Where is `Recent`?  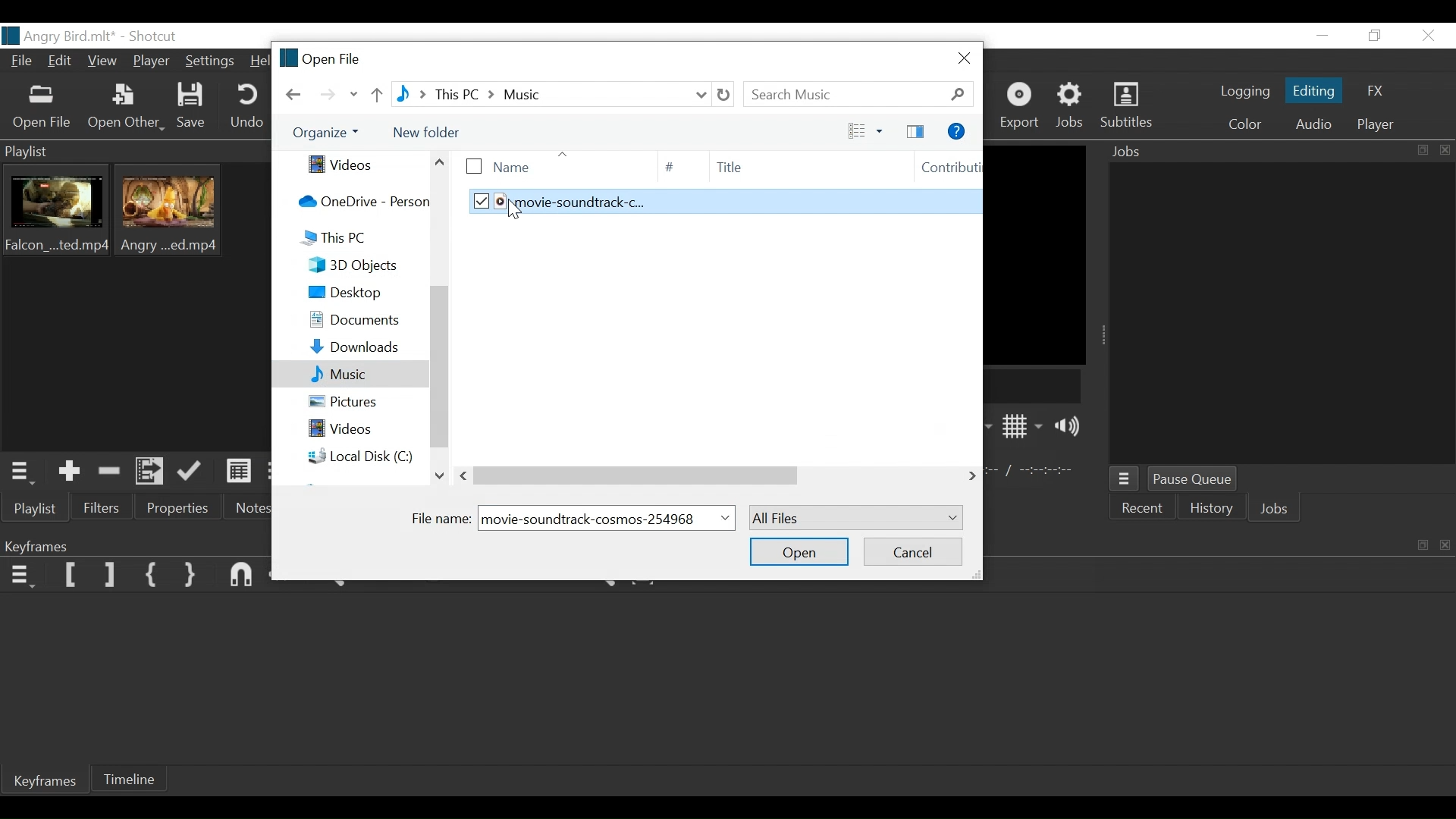
Recent is located at coordinates (1144, 510).